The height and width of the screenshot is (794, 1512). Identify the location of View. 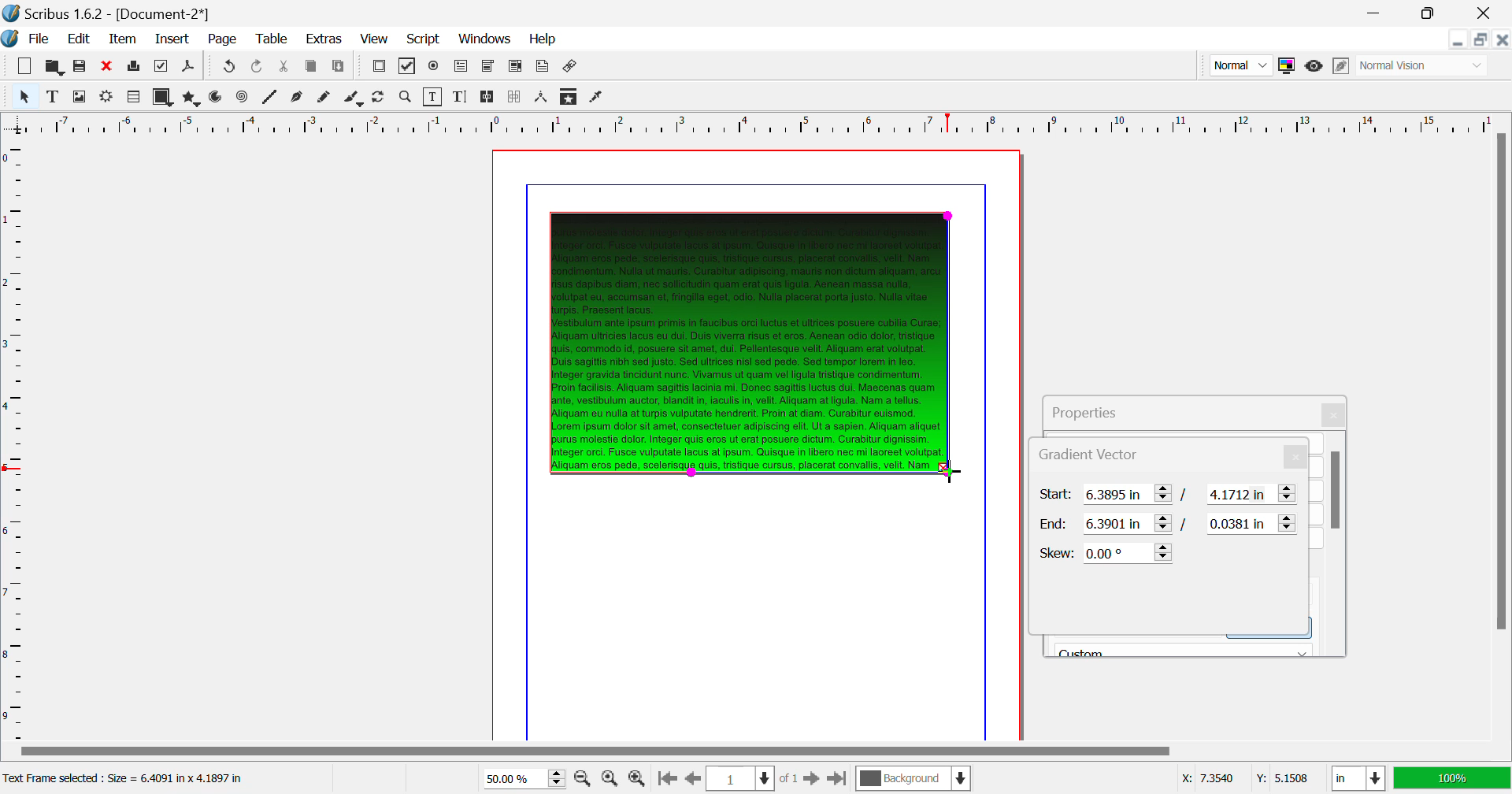
(373, 39).